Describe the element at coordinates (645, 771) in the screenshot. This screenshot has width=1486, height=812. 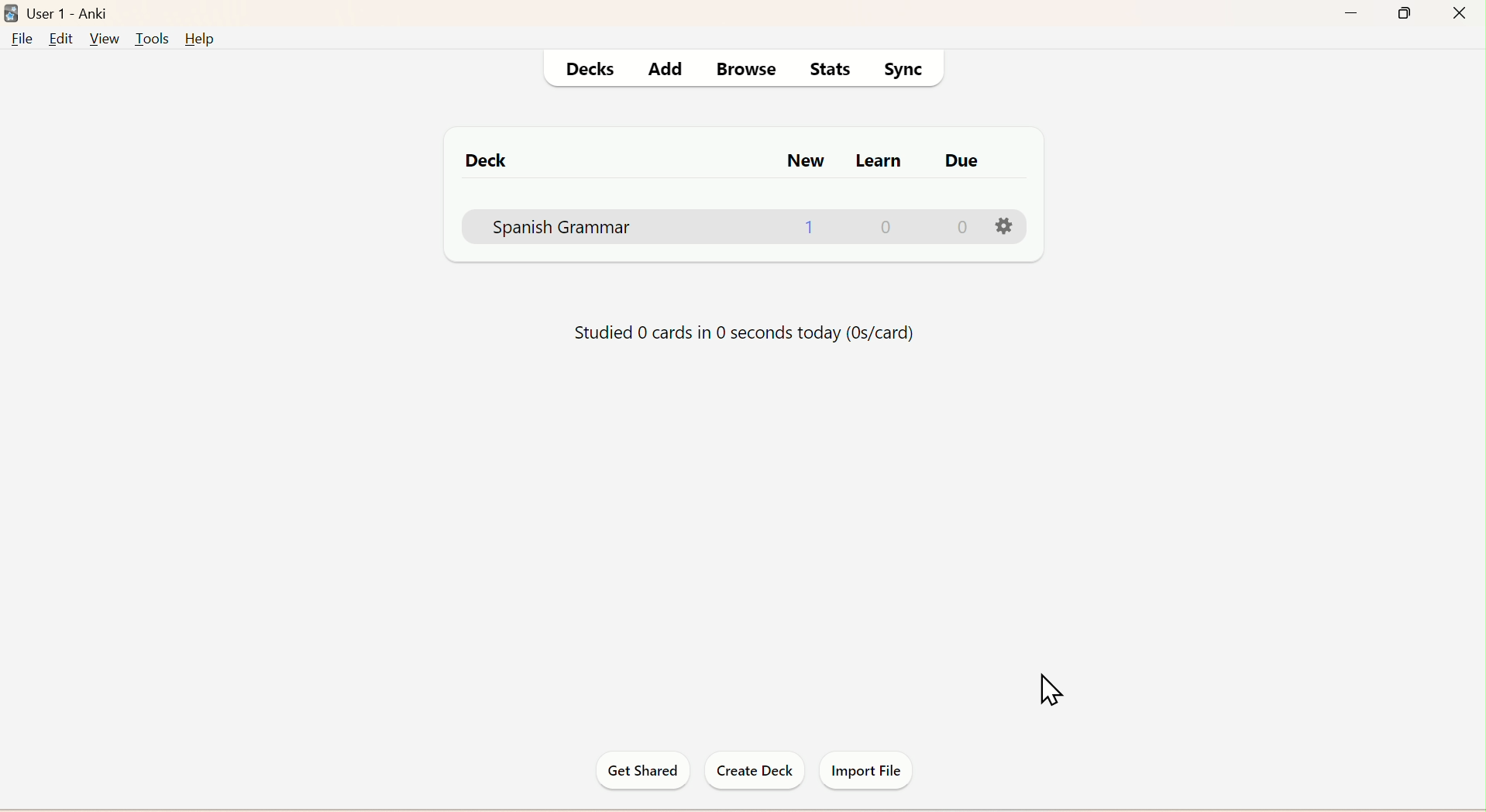
I see `Get Started` at that location.